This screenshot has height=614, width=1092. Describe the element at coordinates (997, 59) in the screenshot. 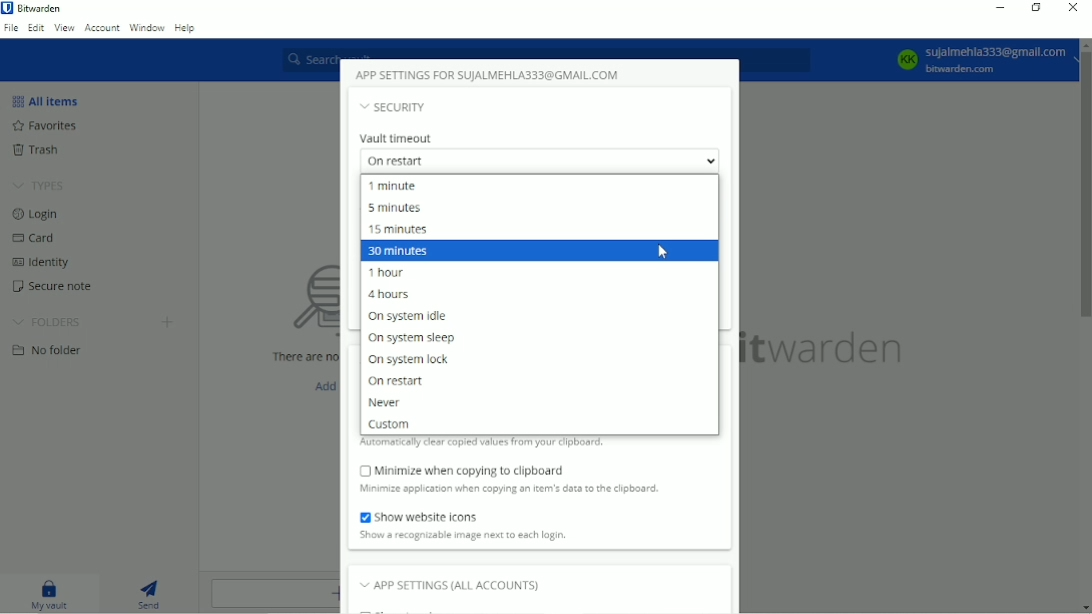

I see `sujaimehia333@gmail. com bitwarden.com` at that location.